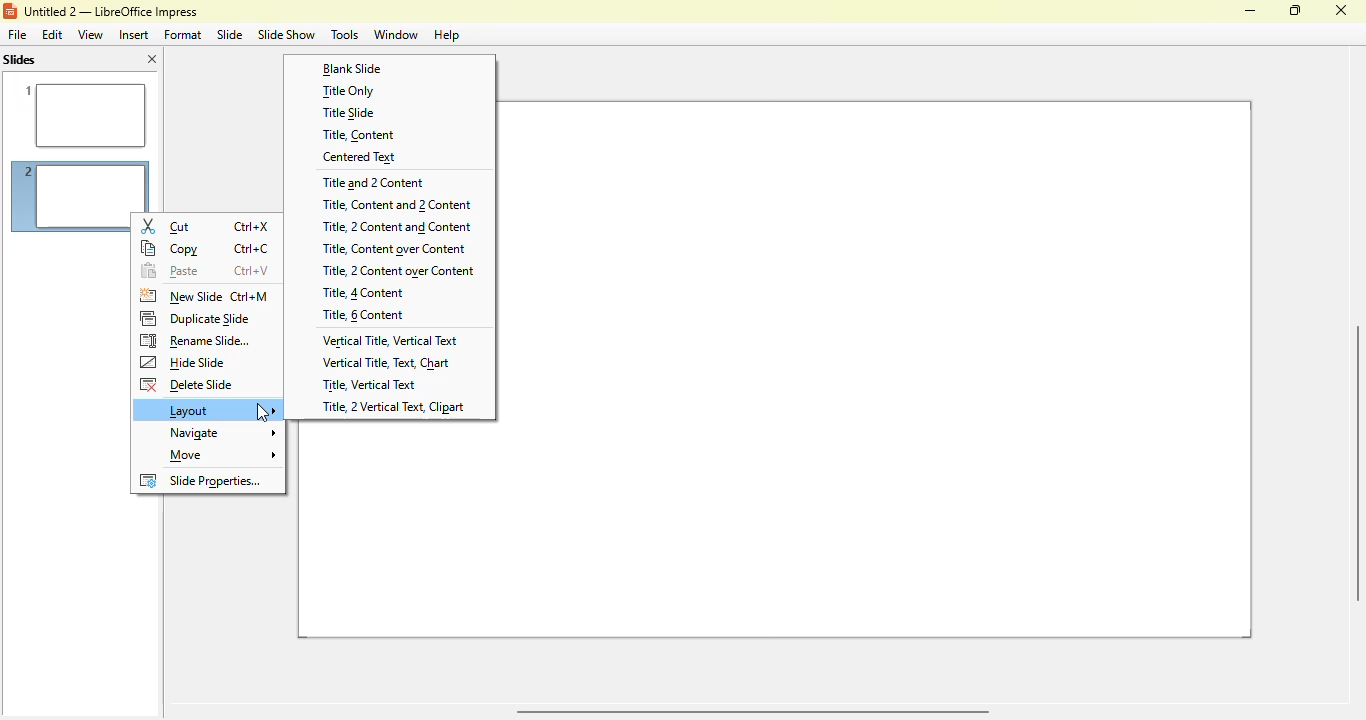 Image resolution: width=1366 pixels, height=720 pixels. What do you see at coordinates (166, 226) in the screenshot?
I see `cut` at bounding box center [166, 226].